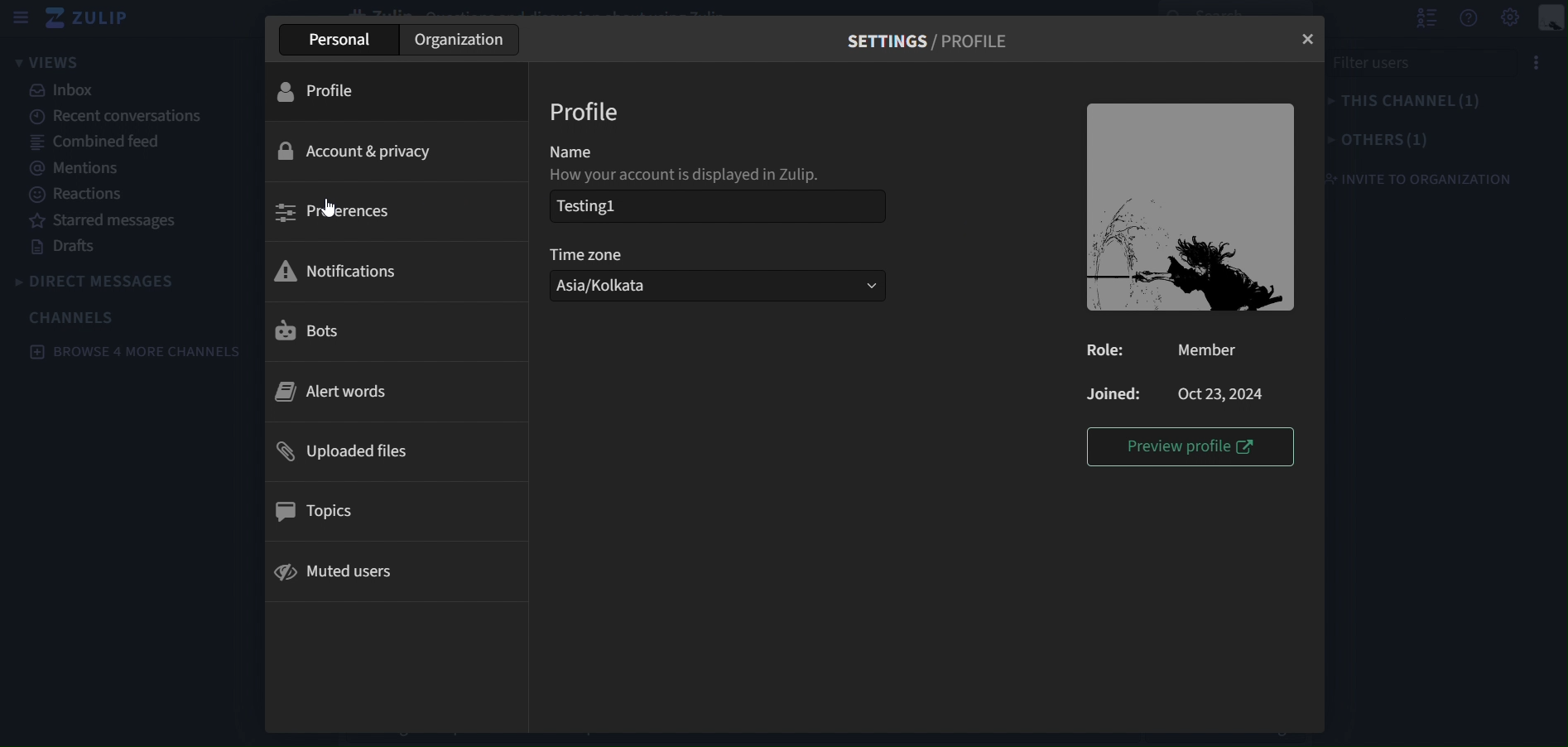 Image resolution: width=1568 pixels, height=747 pixels. I want to click on bots, so click(394, 332).